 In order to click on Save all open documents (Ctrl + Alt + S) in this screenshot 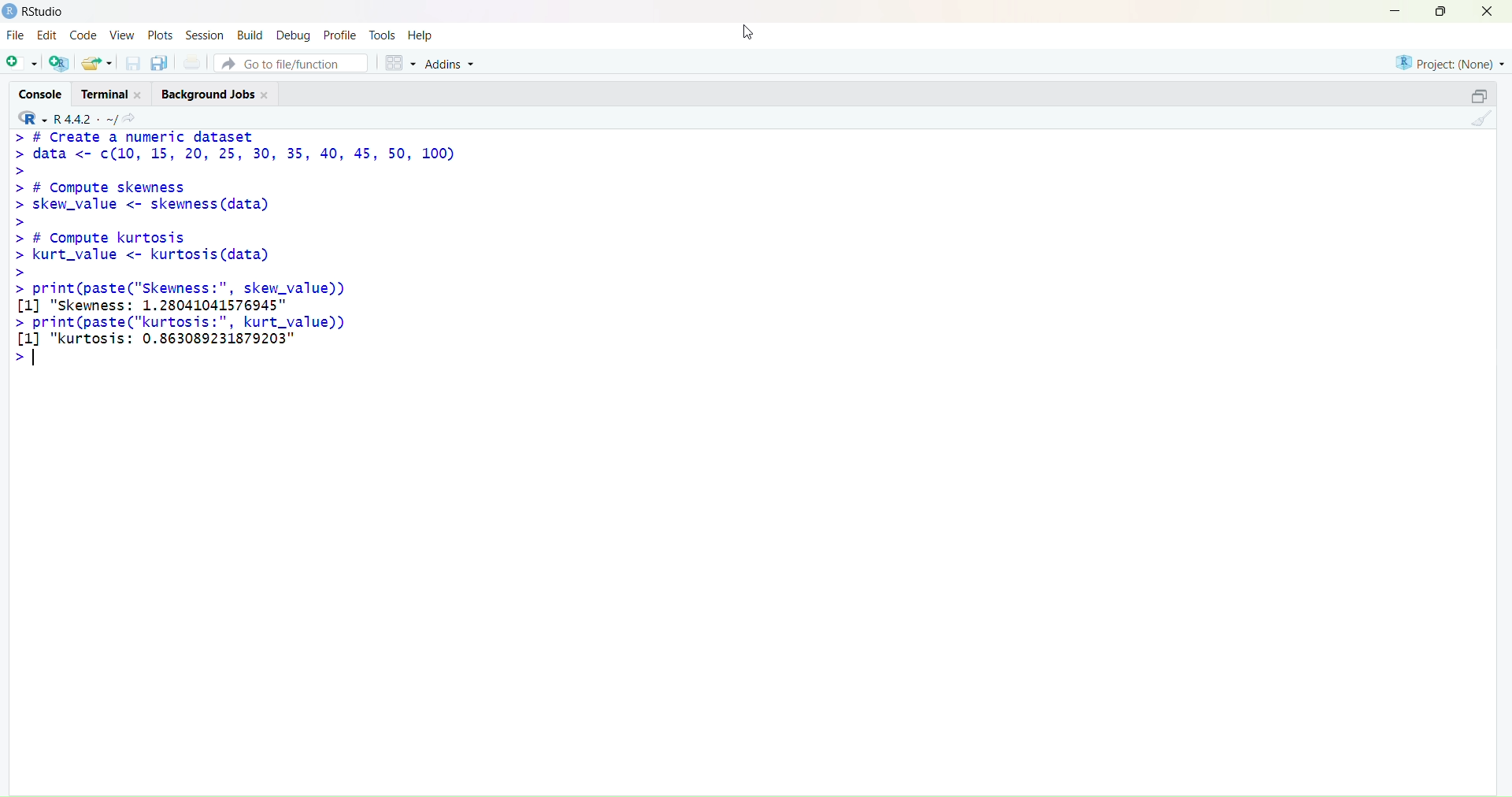, I will do `click(160, 64)`.